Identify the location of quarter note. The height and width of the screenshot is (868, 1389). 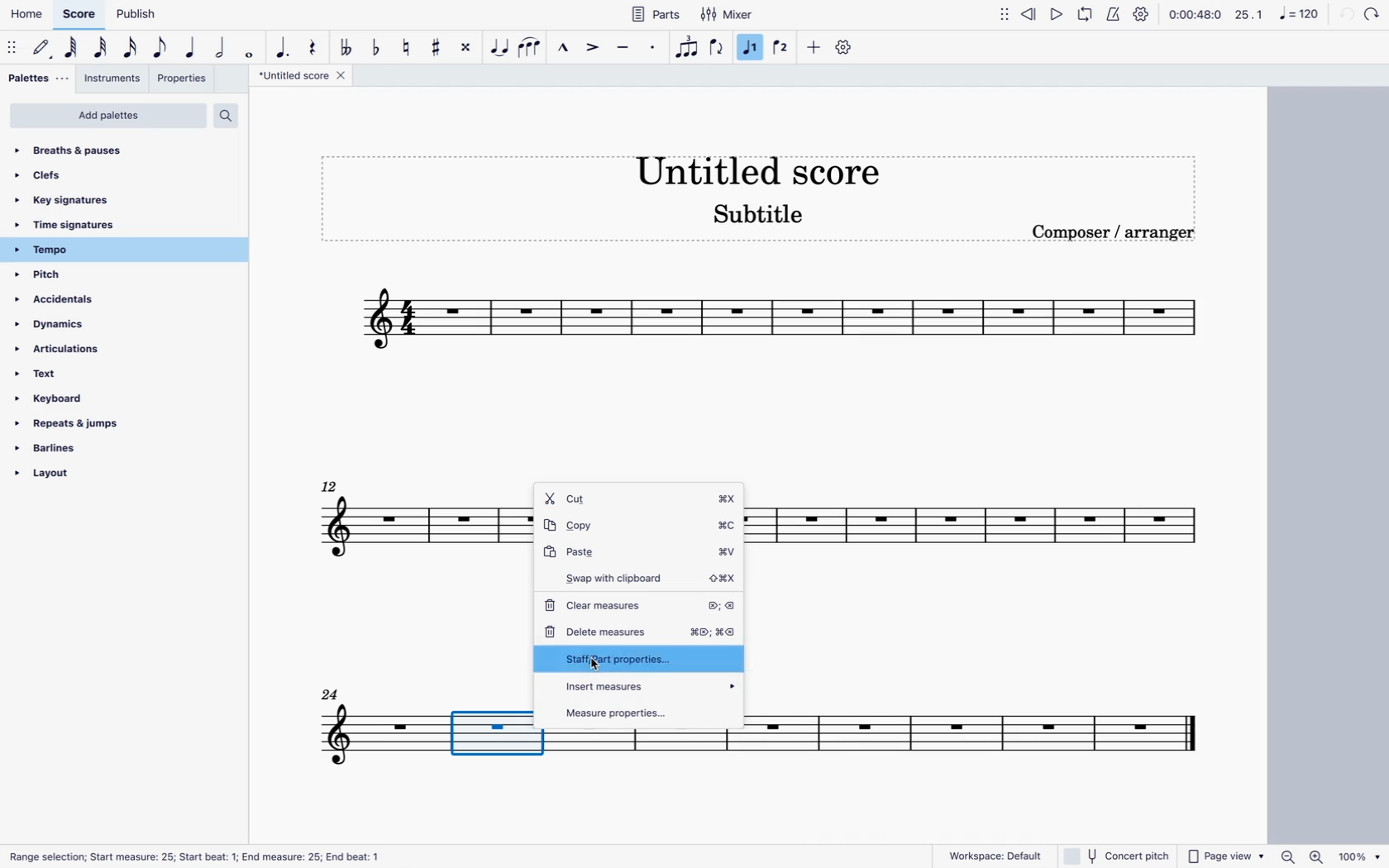
(192, 48).